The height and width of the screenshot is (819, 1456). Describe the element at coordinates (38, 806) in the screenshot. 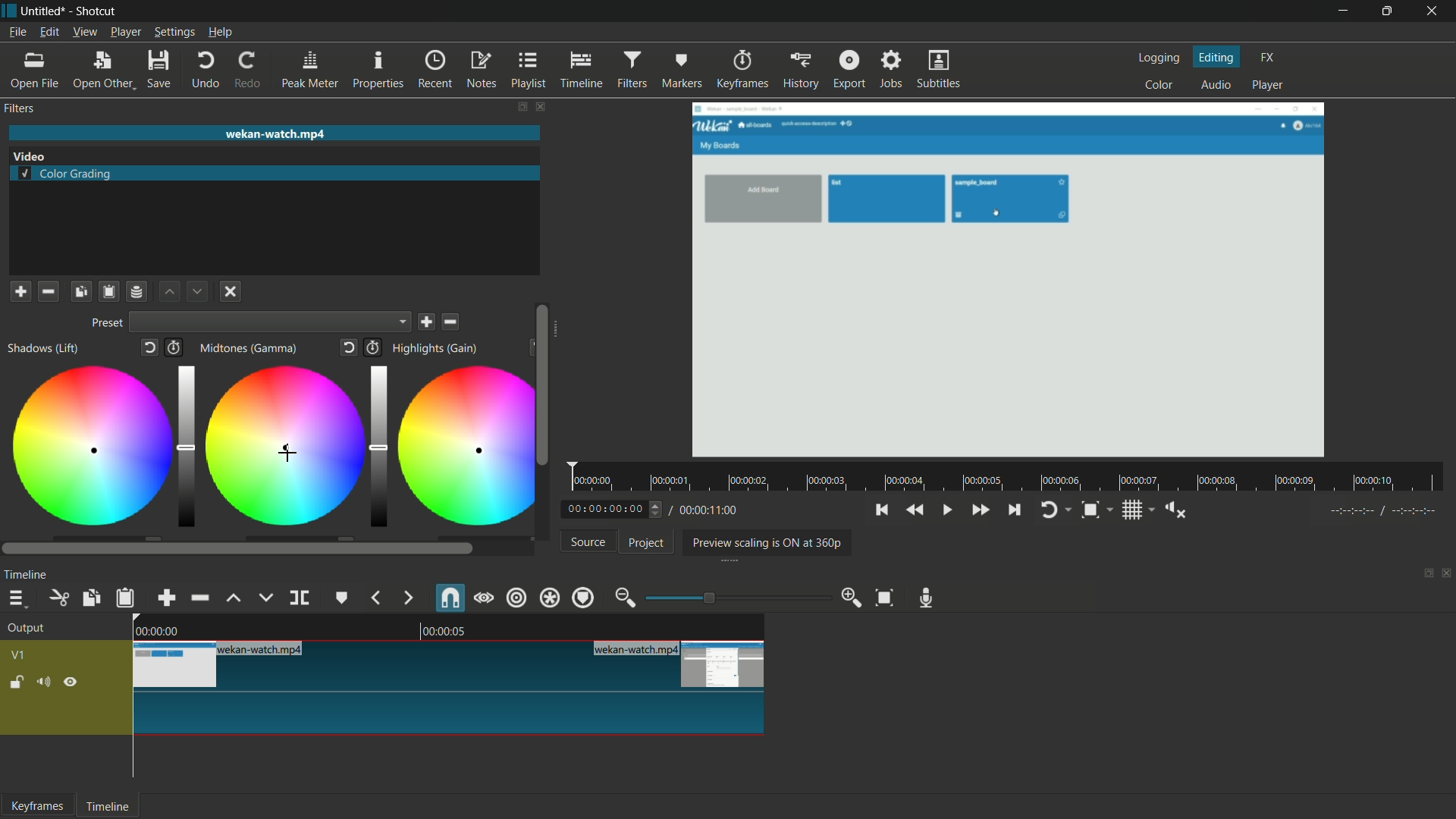

I see `keyframes` at that location.